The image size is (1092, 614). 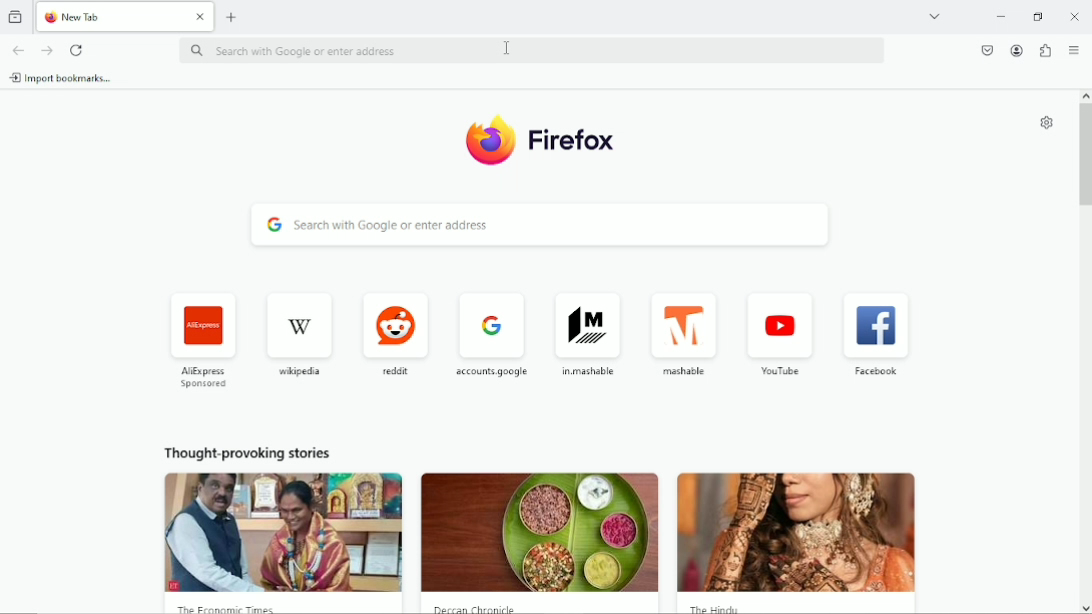 I want to click on the economic times, so click(x=231, y=608).